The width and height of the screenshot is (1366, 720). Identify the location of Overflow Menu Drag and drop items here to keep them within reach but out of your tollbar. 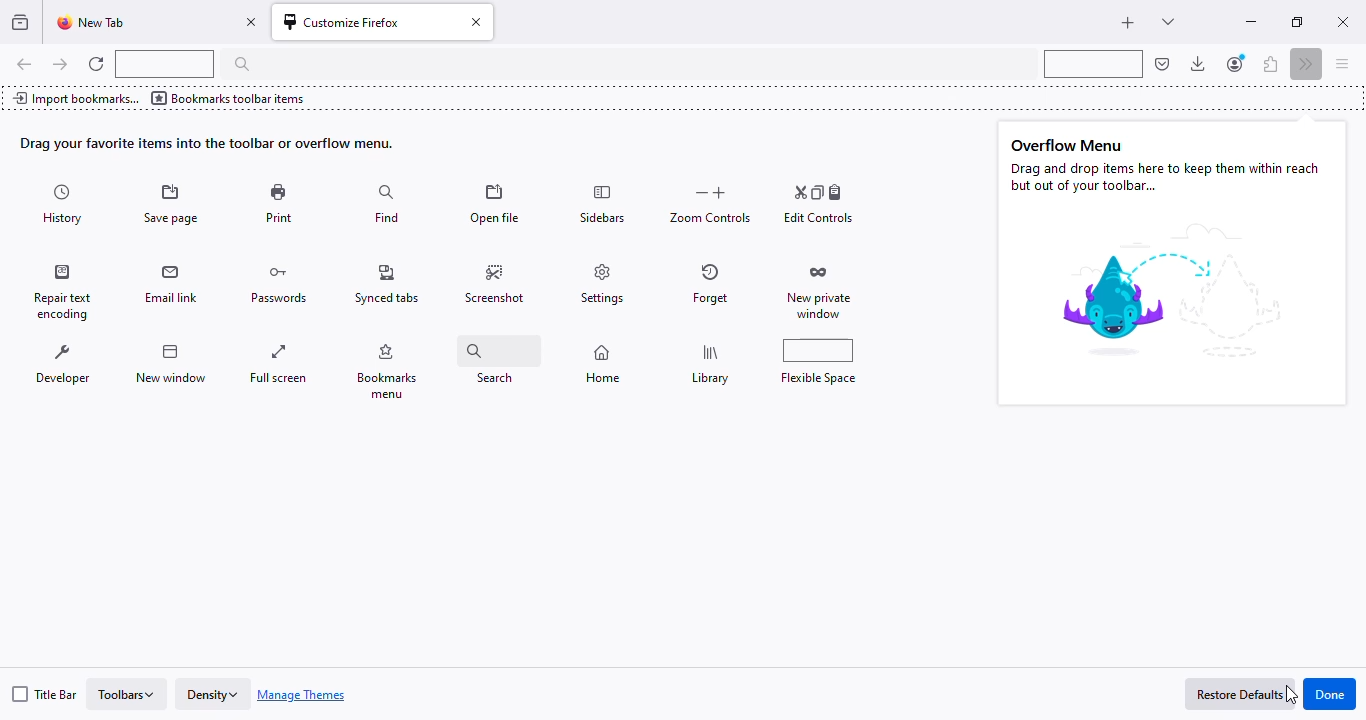
(1175, 170).